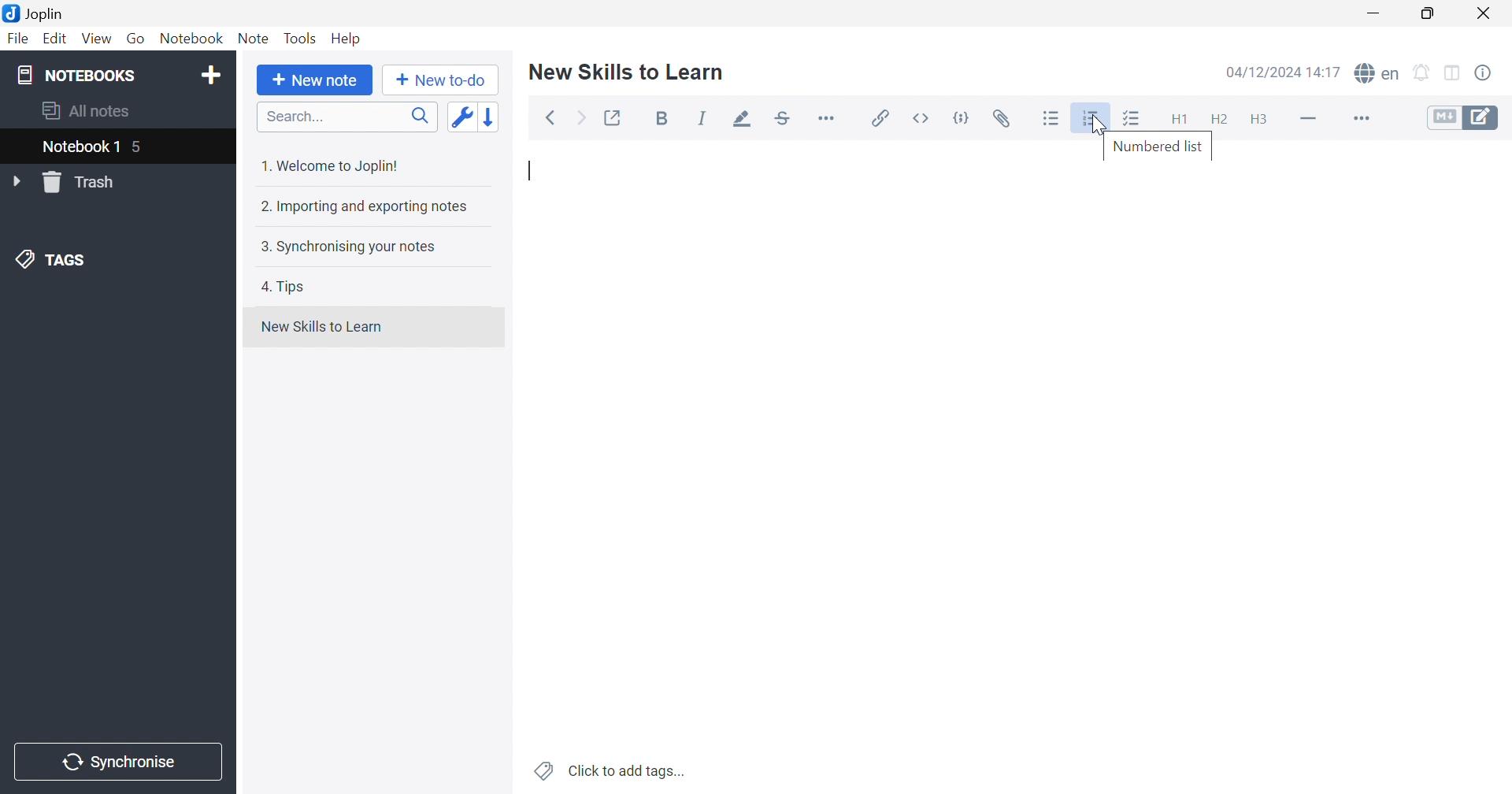 This screenshot has height=794, width=1512. What do you see at coordinates (1329, 72) in the screenshot?
I see `14:15` at bounding box center [1329, 72].